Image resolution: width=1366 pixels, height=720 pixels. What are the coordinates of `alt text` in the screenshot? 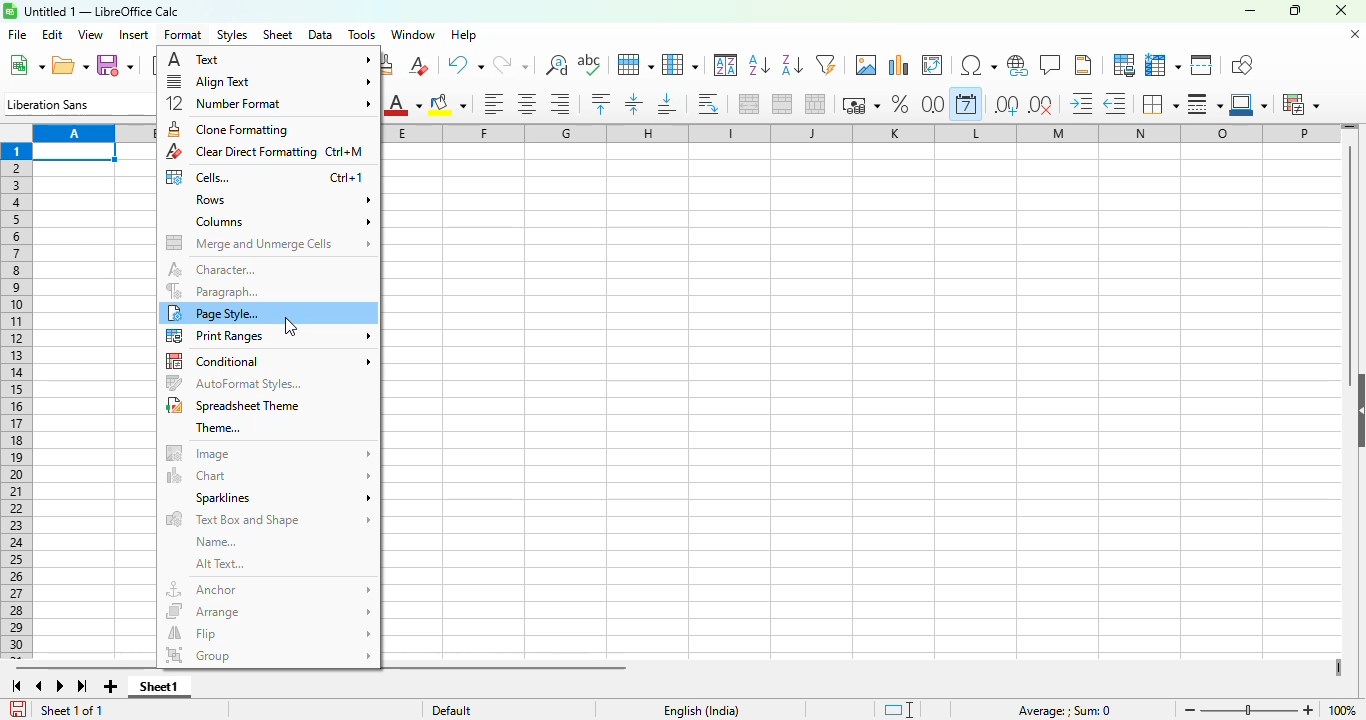 It's located at (220, 564).